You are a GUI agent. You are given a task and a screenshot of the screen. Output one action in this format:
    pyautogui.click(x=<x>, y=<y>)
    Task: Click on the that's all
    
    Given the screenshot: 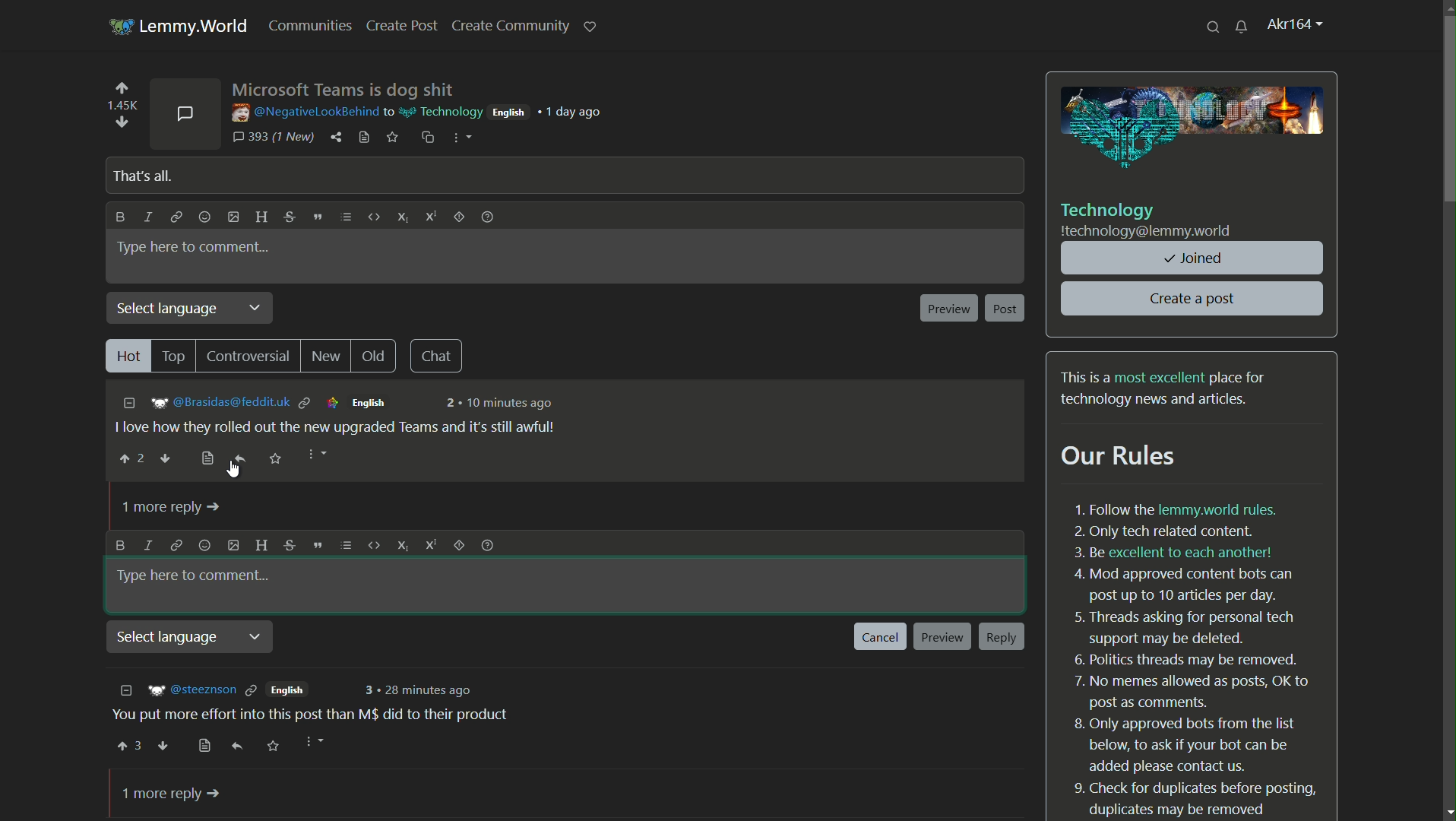 What is the action you would take?
    pyautogui.click(x=140, y=176)
    